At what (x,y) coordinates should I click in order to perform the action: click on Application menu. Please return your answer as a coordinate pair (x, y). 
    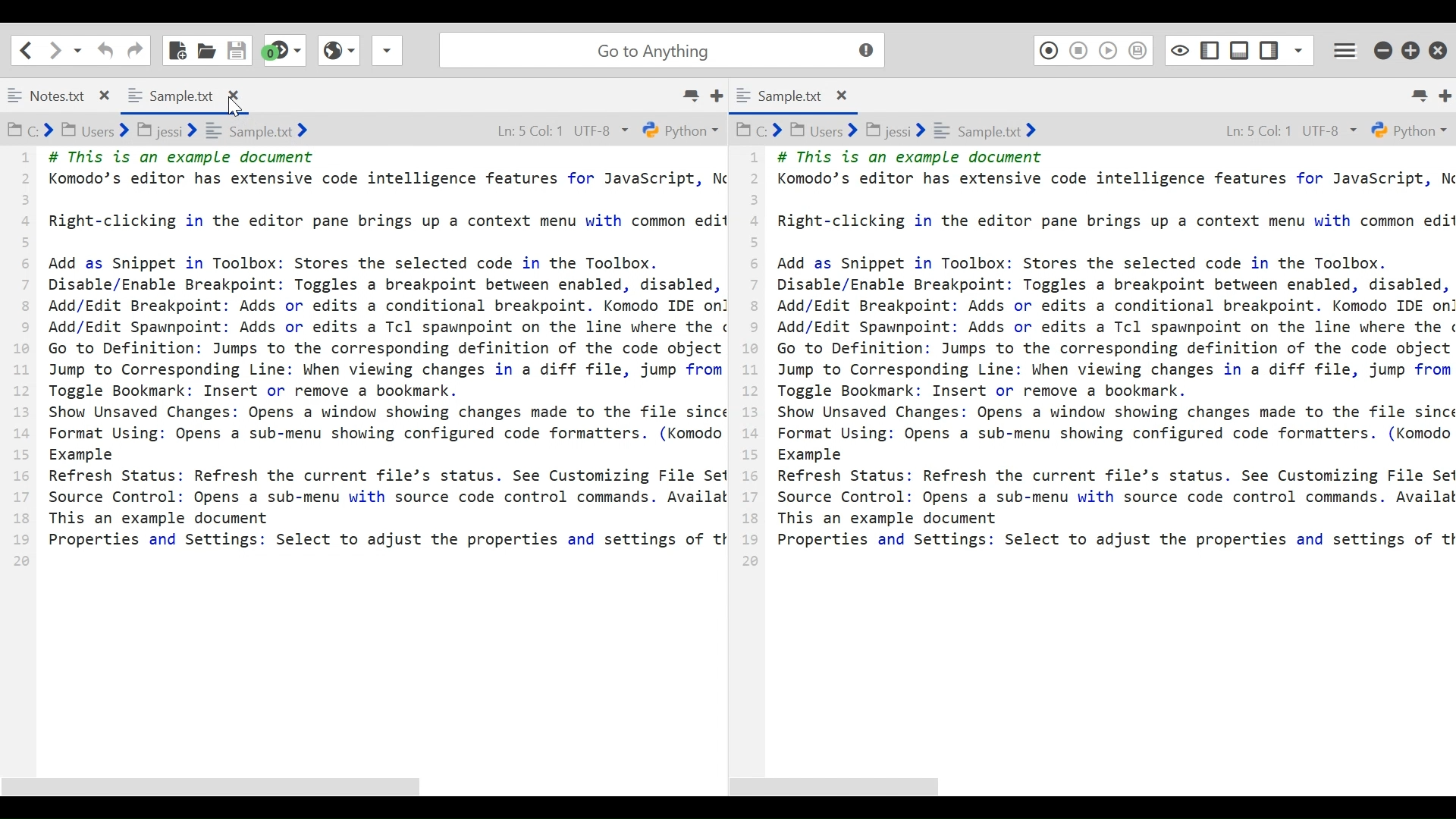
    Looking at the image, I should click on (1347, 50).